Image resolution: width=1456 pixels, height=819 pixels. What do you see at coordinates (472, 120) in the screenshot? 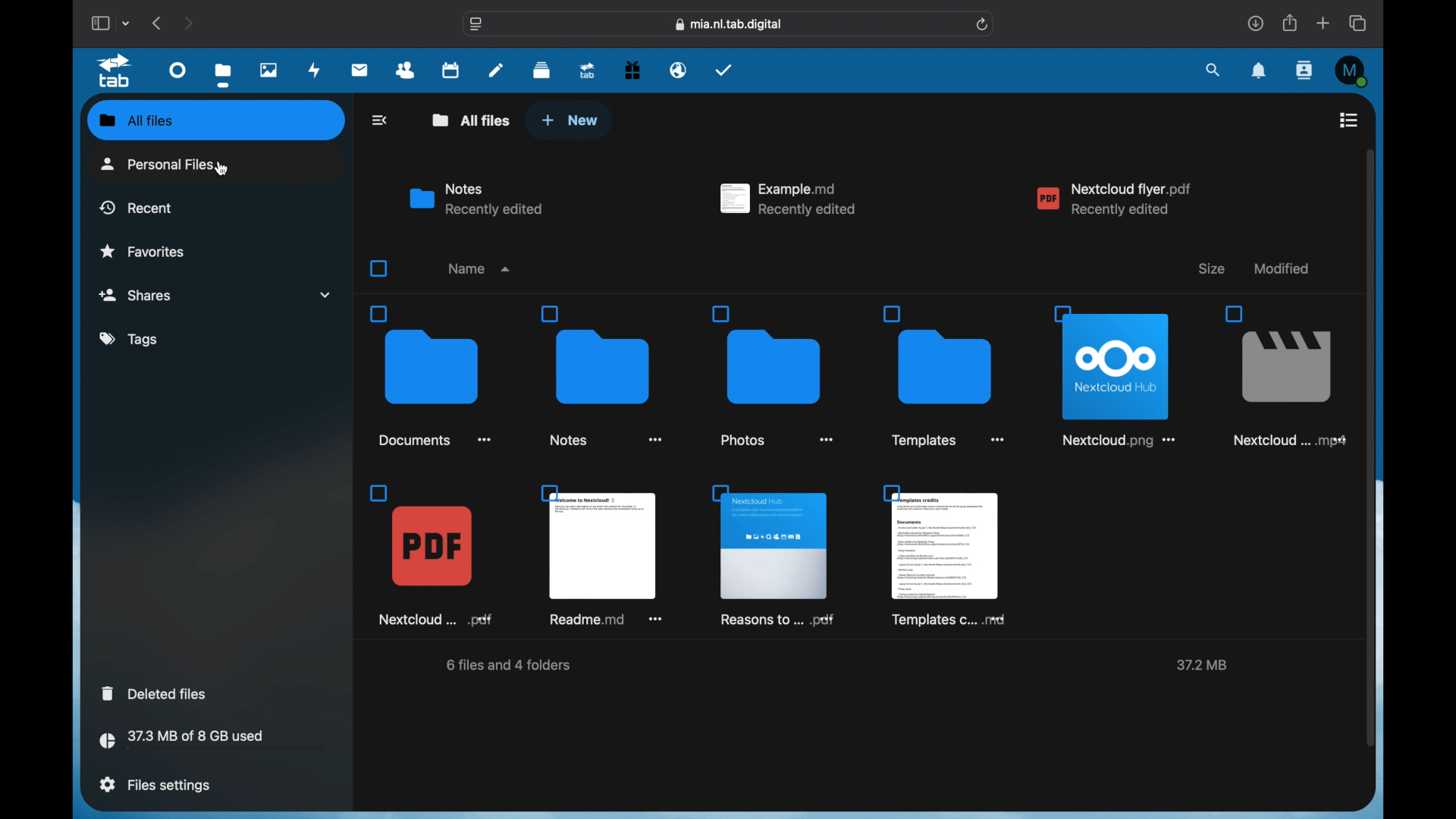
I see `all files` at bounding box center [472, 120].